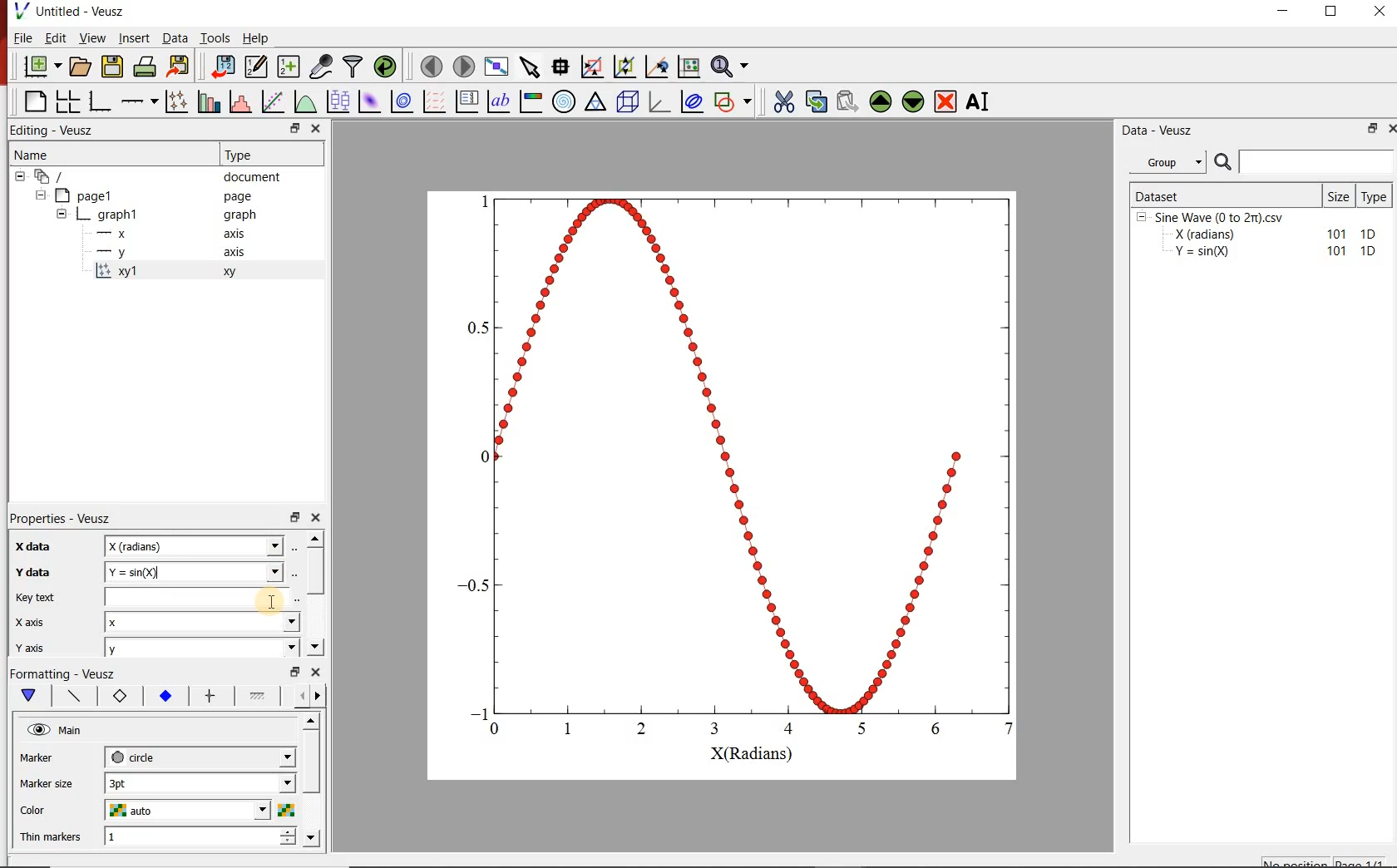 The image size is (1397, 868). Describe the element at coordinates (257, 698) in the screenshot. I see `options` at that location.